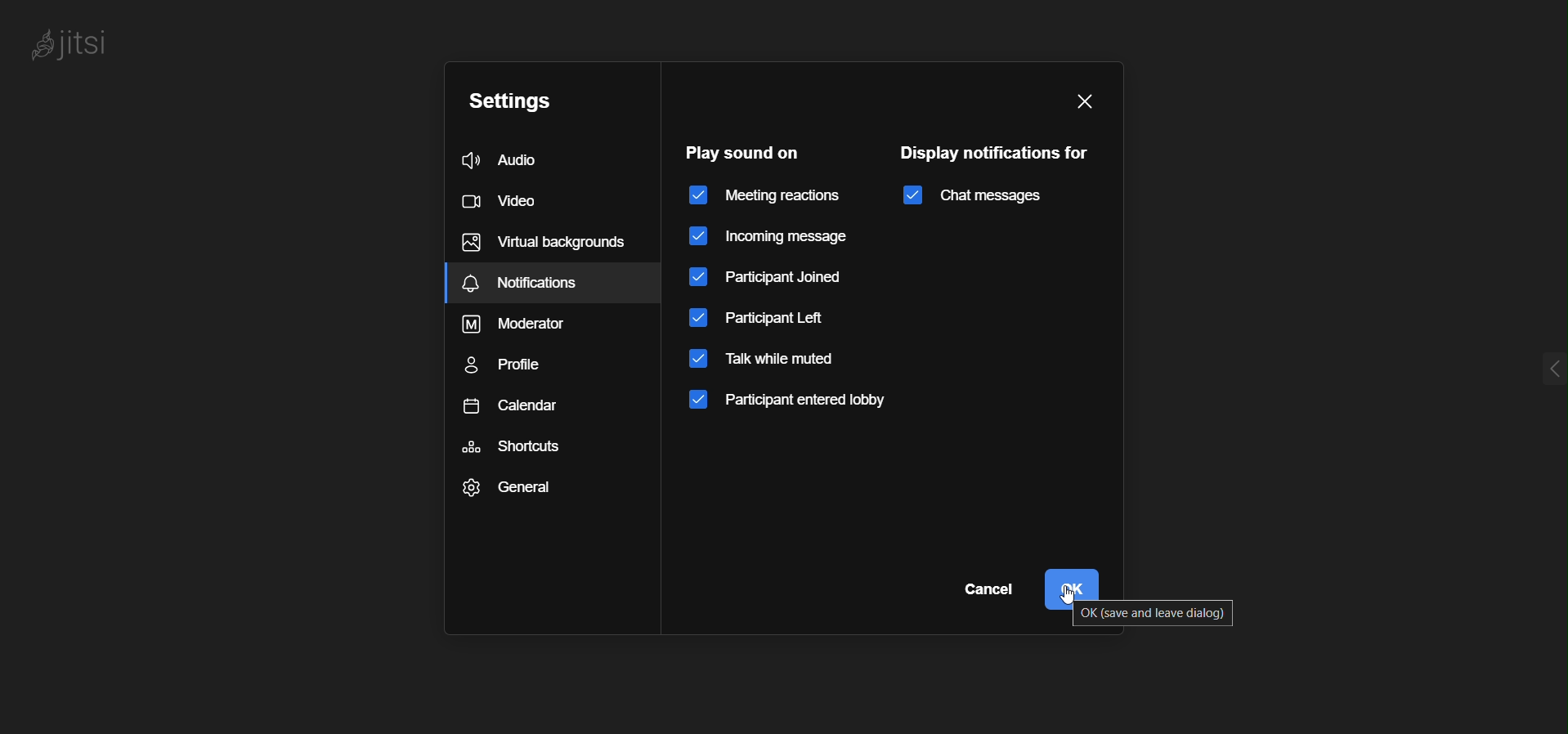  I want to click on shortcuts, so click(514, 448).